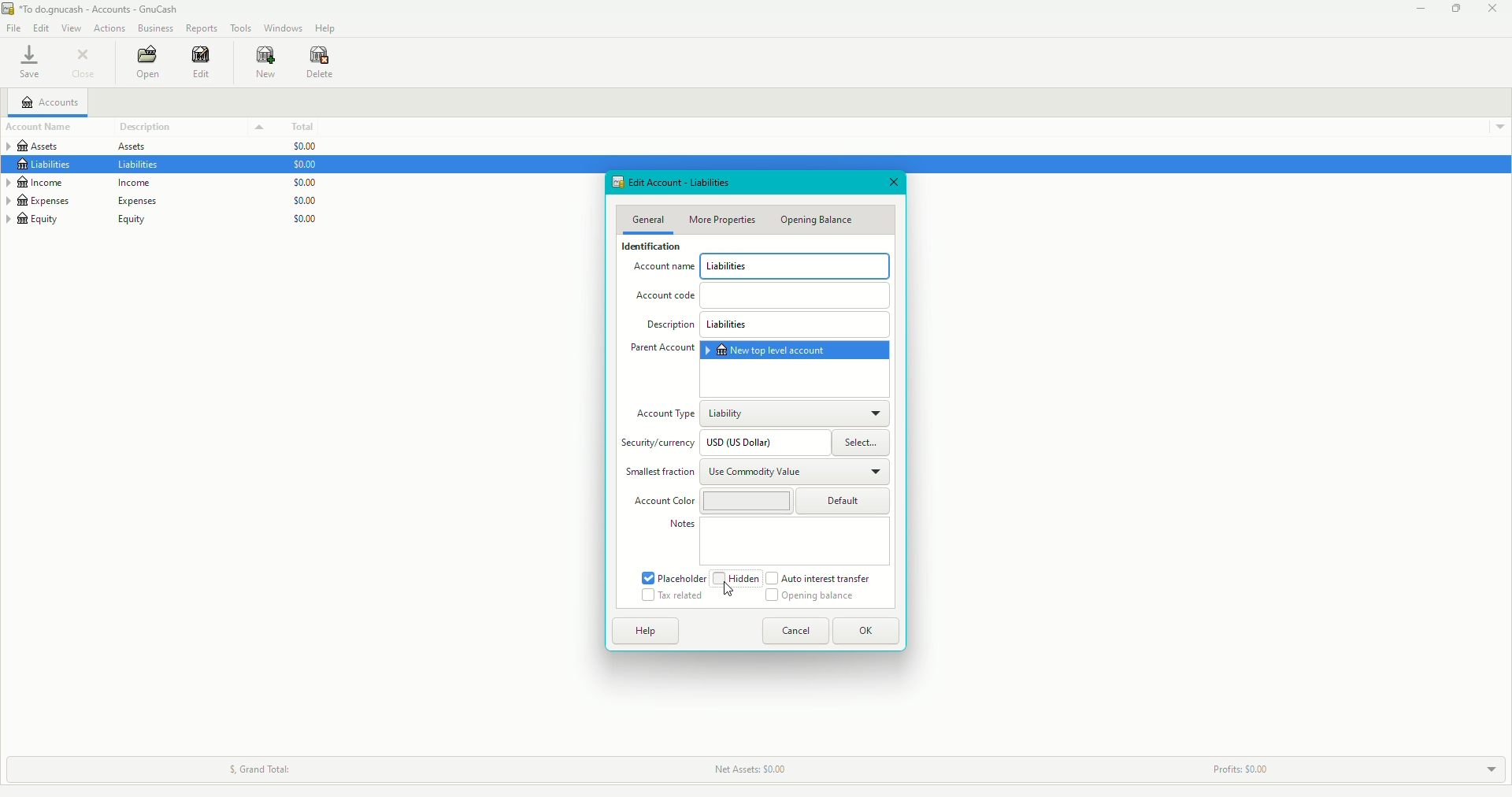 This screenshot has width=1512, height=797. What do you see at coordinates (761, 297) in the screenshot?
I see `Account Code` at bounding box center [761, 297].